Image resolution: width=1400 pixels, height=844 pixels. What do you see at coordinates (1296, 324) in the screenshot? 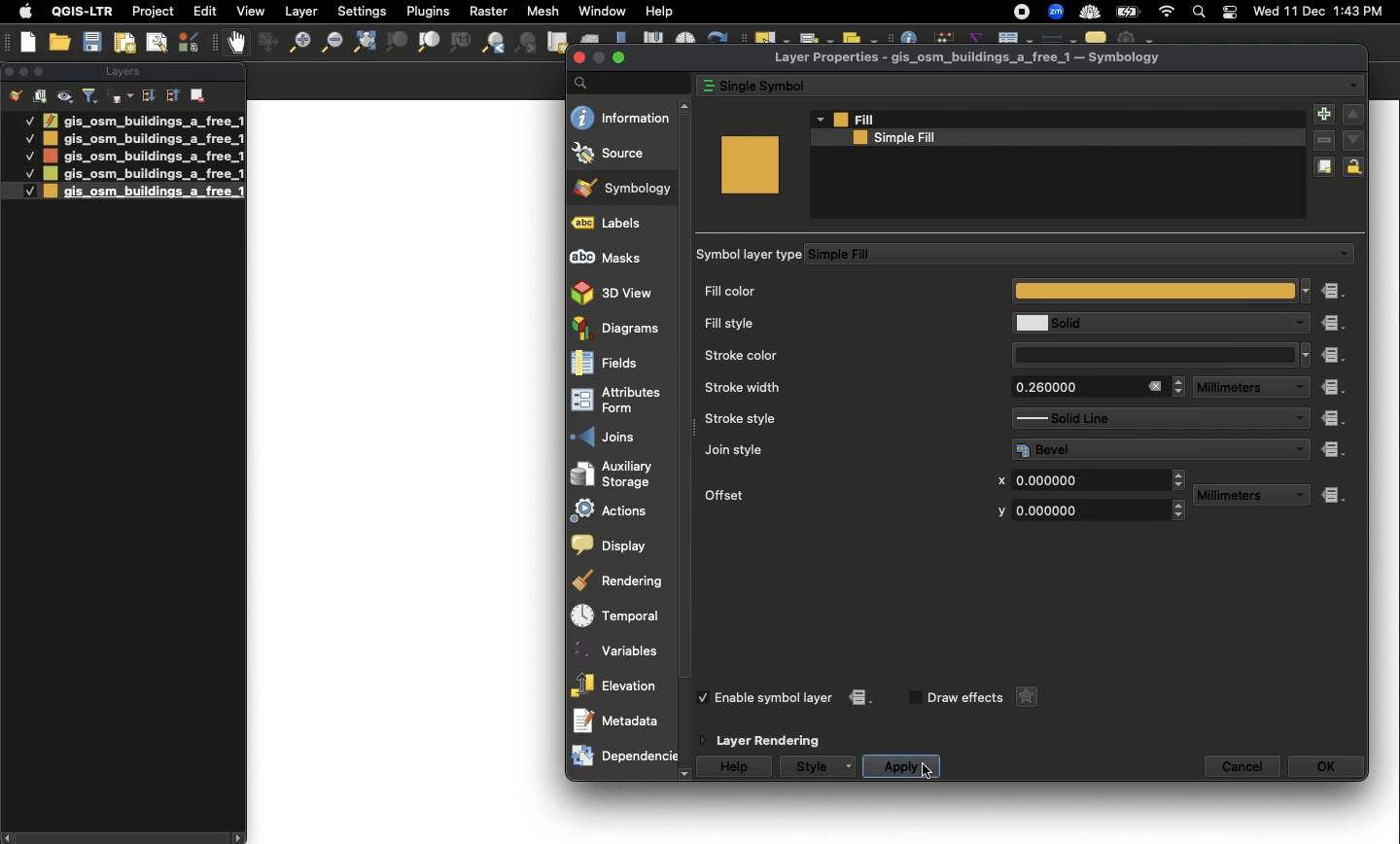
I see `Drop down` at bounding box center [1296, 324].